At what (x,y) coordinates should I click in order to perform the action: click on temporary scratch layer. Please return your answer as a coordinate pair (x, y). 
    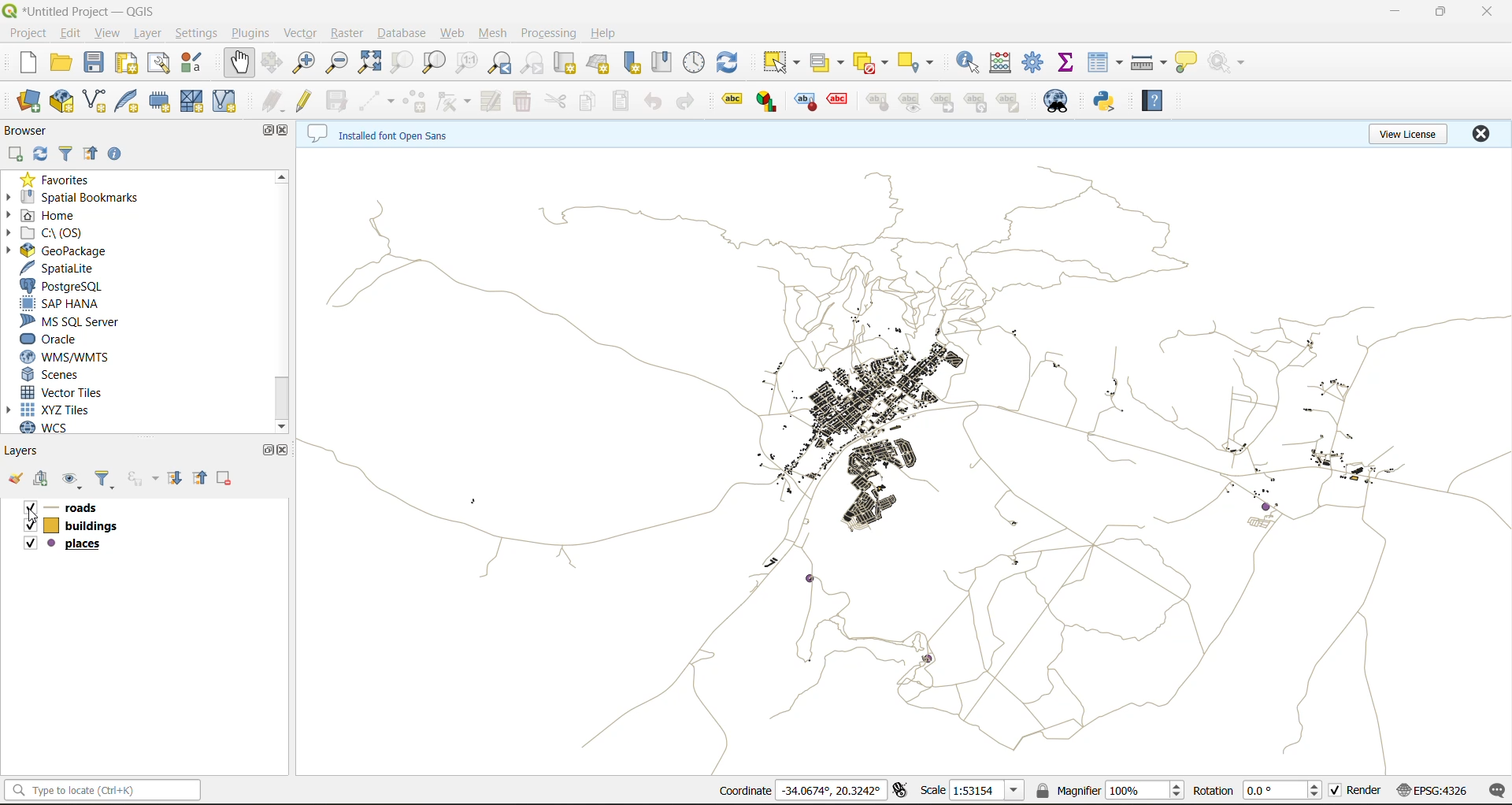
    Looking at the image, I should click on (161, 102).